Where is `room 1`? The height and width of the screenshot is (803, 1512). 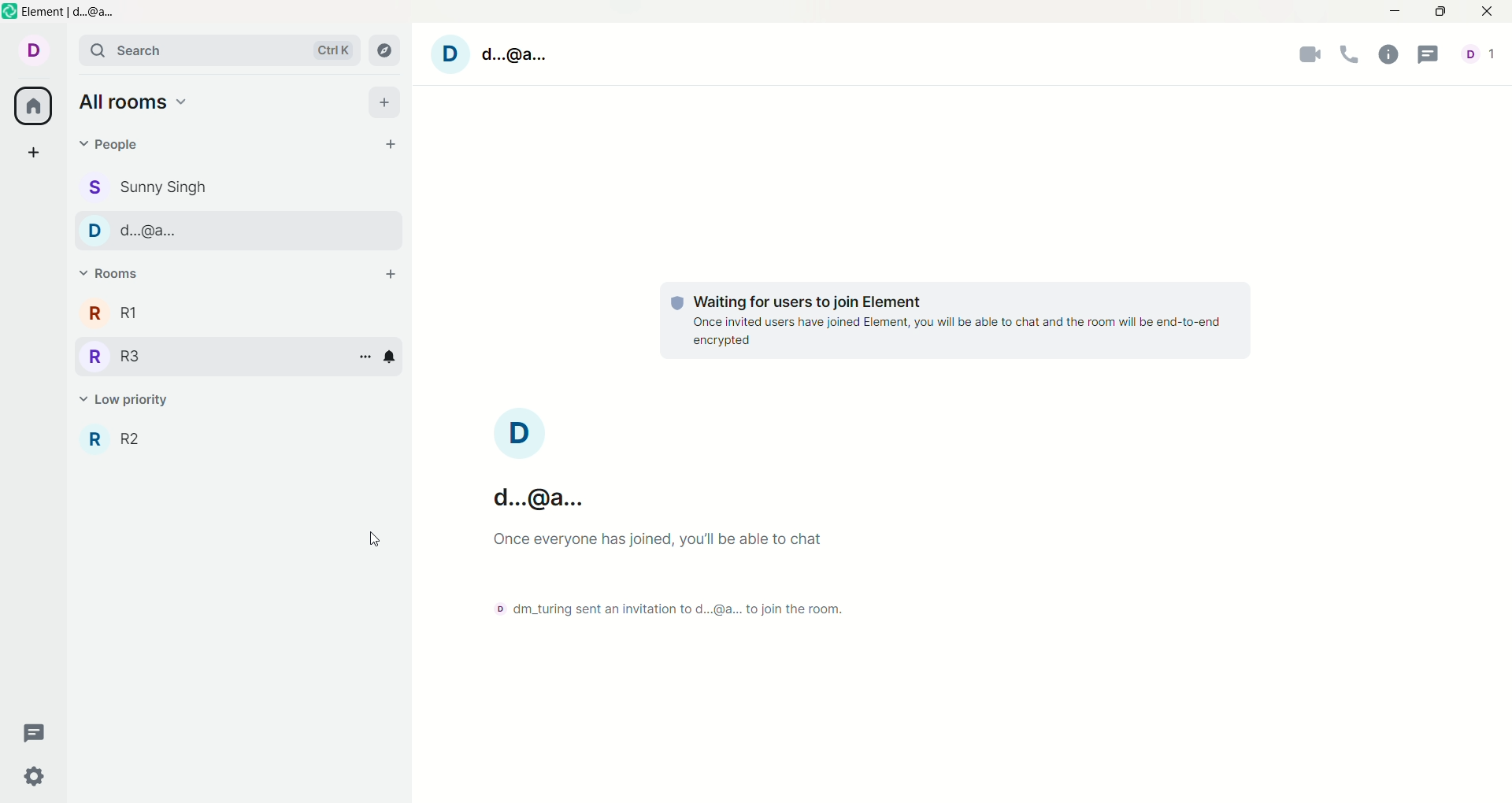 room 1 is located at coordinates (112, 313).